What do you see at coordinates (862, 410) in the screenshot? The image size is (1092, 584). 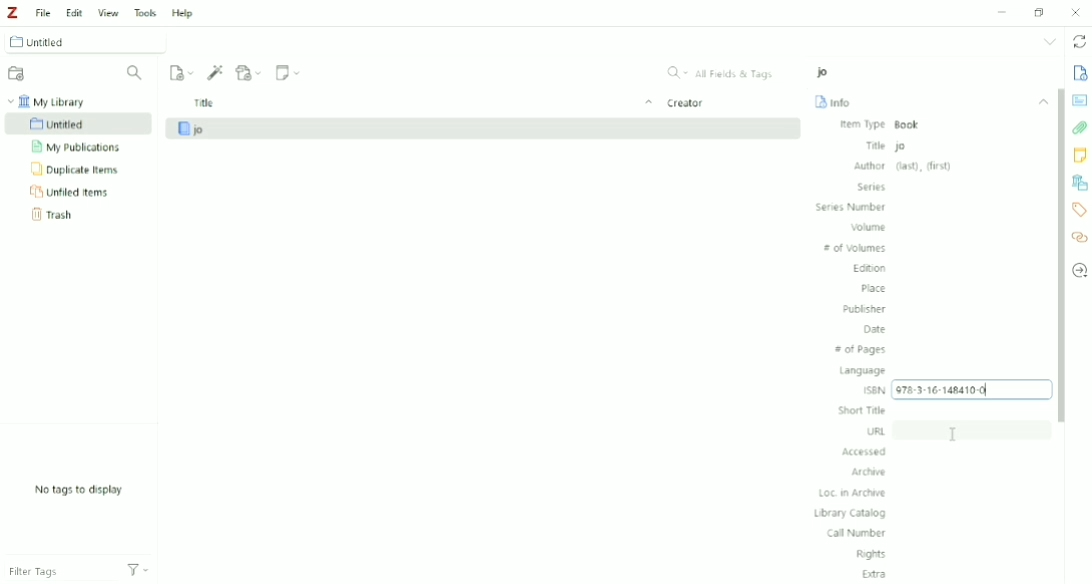 I see `Short Title` at bounding box center [862, 410].